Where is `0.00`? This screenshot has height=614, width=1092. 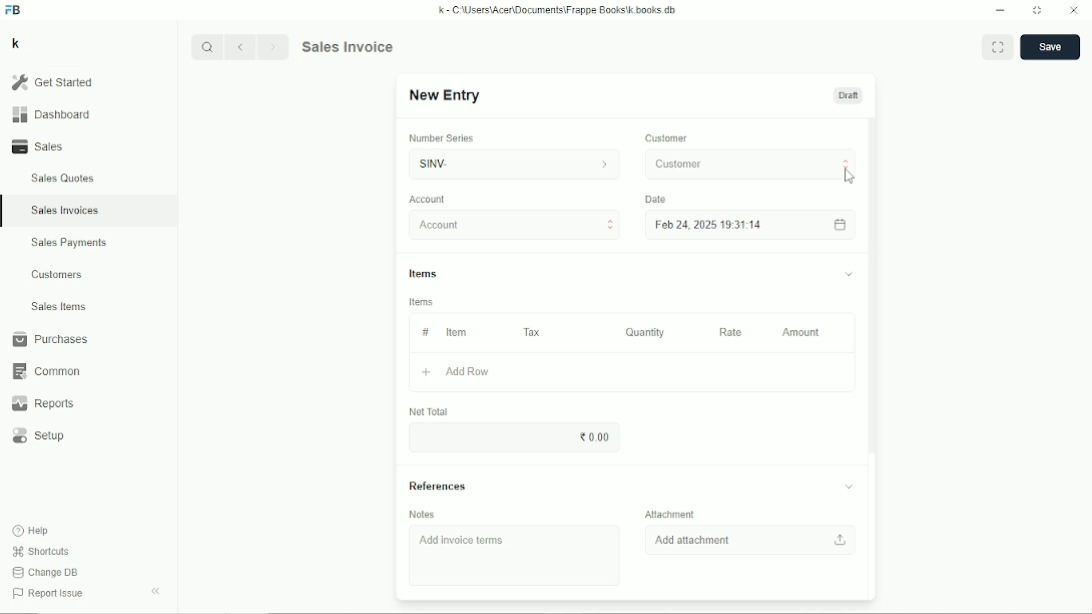
0.00 is located at coordinates (596, 436).